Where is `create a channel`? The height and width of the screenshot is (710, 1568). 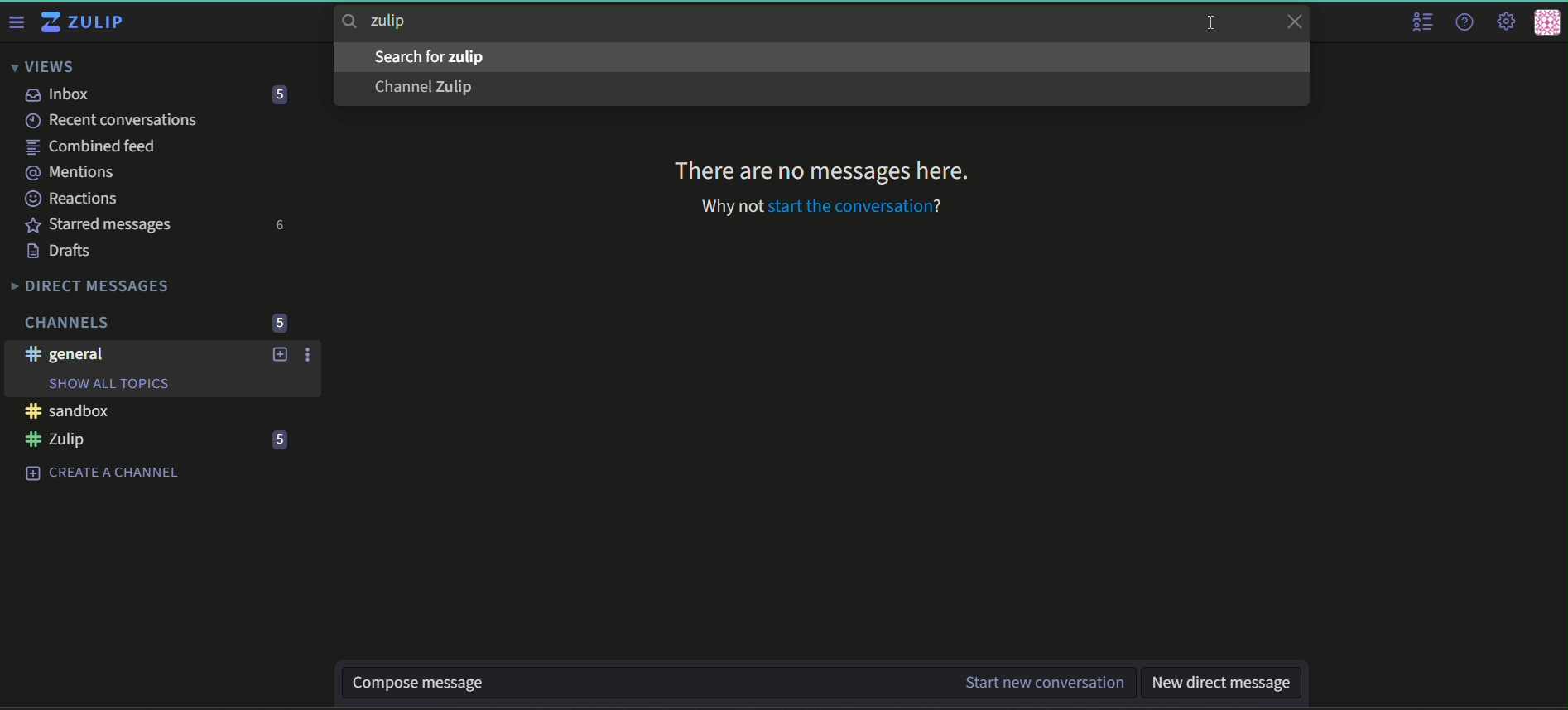
create a channel is located at coordinates (99, 473).